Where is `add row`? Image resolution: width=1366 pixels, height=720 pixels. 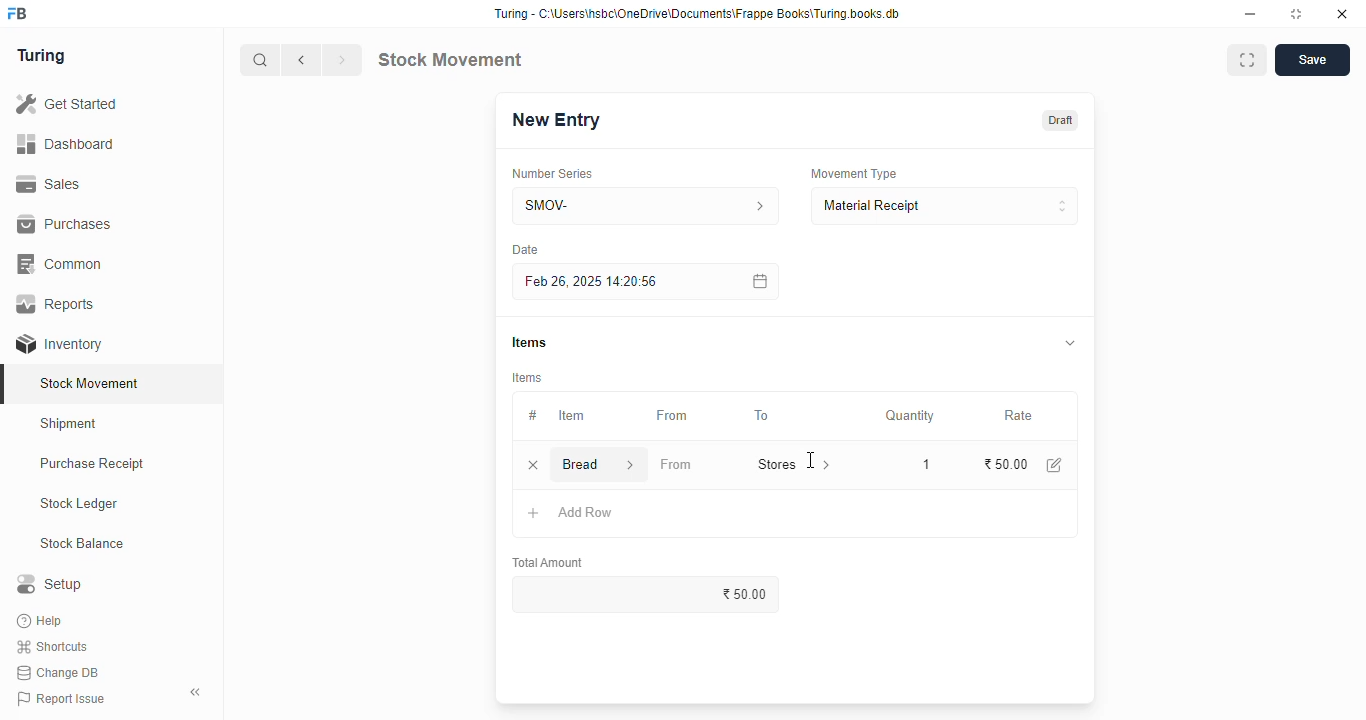
add row is located at coordinates (586, 512).